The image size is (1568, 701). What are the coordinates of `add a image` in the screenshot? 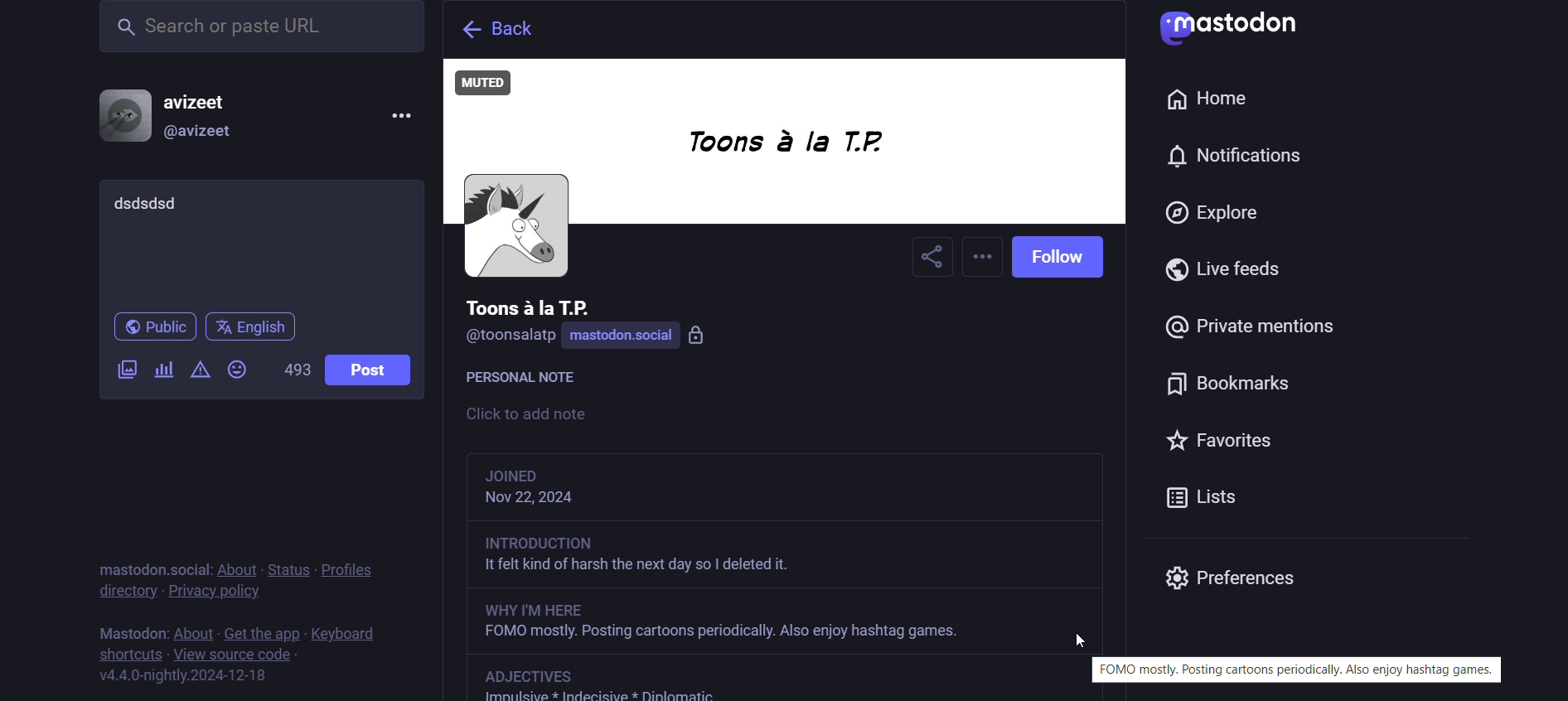 It's located at (128, 371).